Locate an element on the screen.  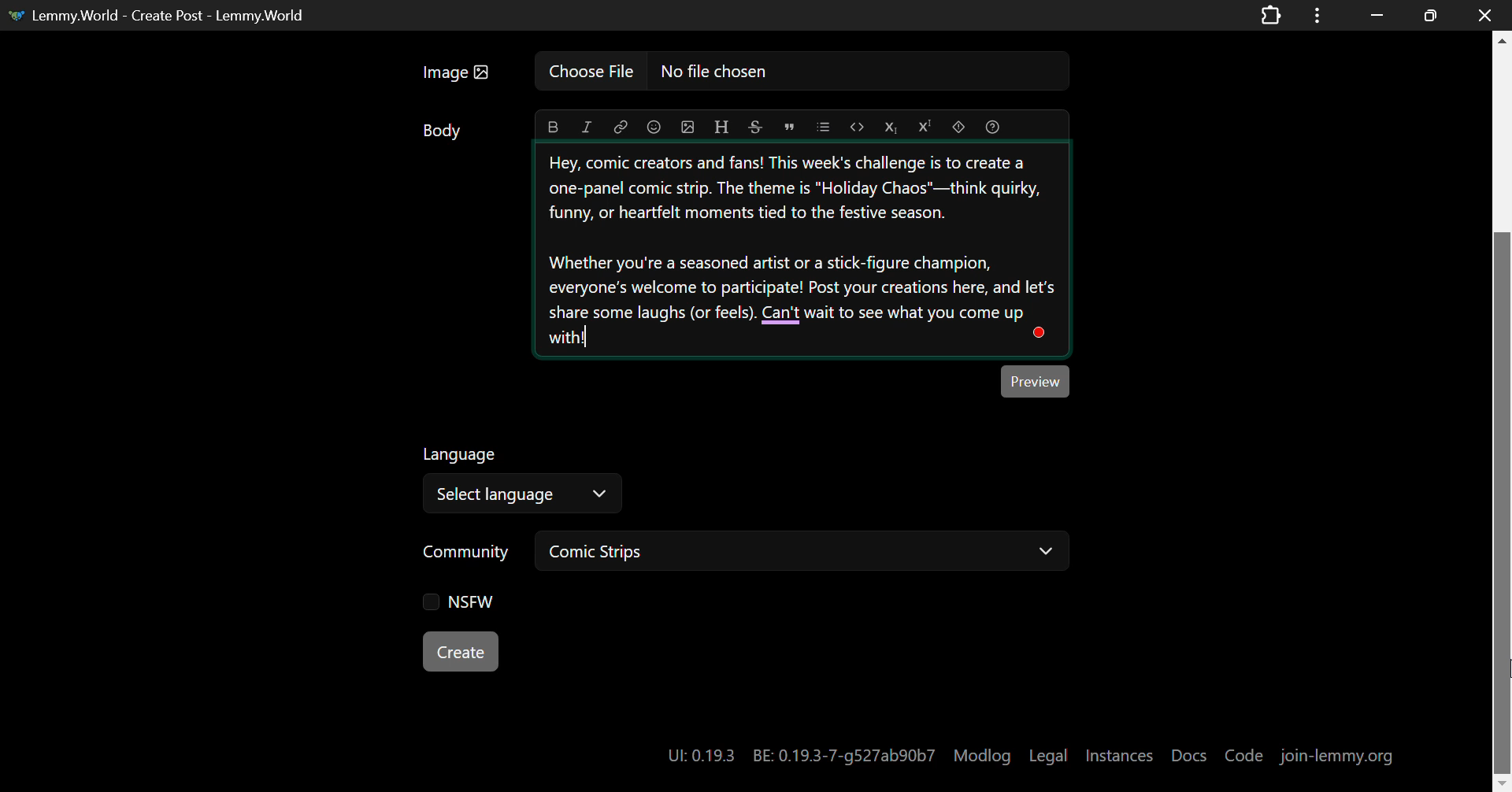
spoiler is located at coordinates (962, 127).